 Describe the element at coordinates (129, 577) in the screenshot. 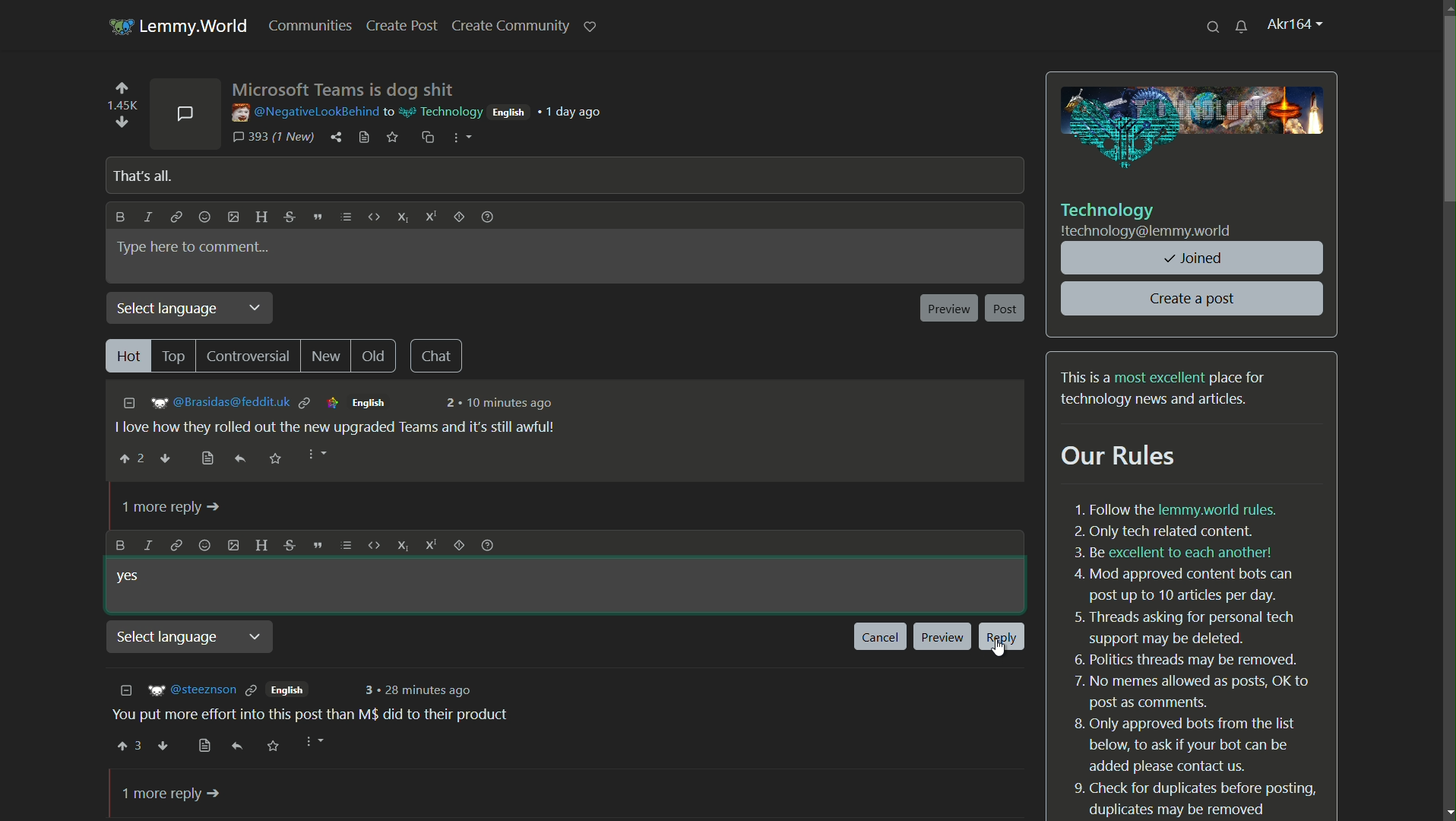

I see `yes` at that location.